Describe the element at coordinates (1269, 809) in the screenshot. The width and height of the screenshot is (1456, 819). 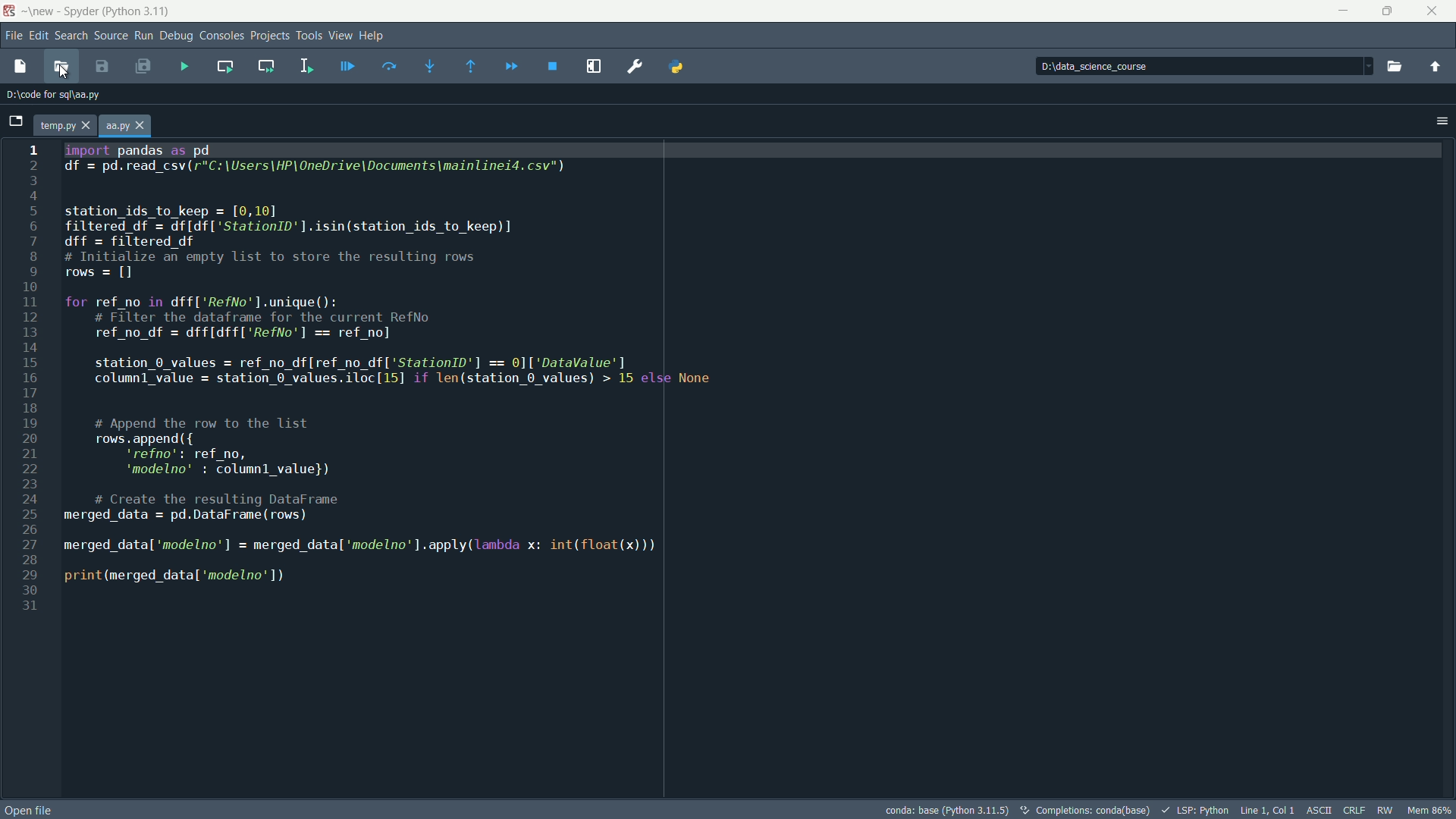
I see `cursor position` at that location.